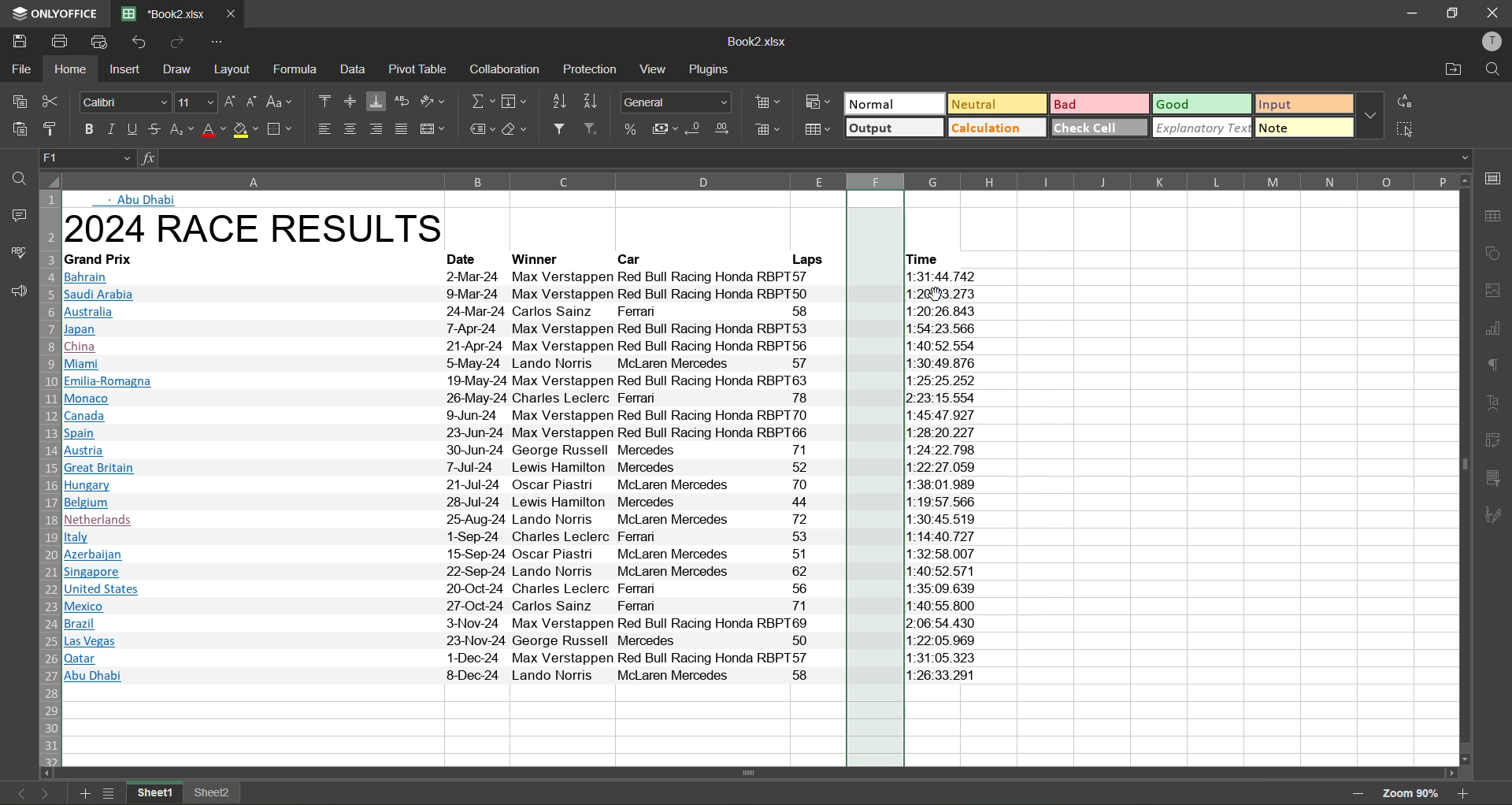  I want to click on BBahrain 2-Mar-24 Max Verstappen Red Bull Racing Honda RBPT57 1:31:44 742, so click(446, 277).